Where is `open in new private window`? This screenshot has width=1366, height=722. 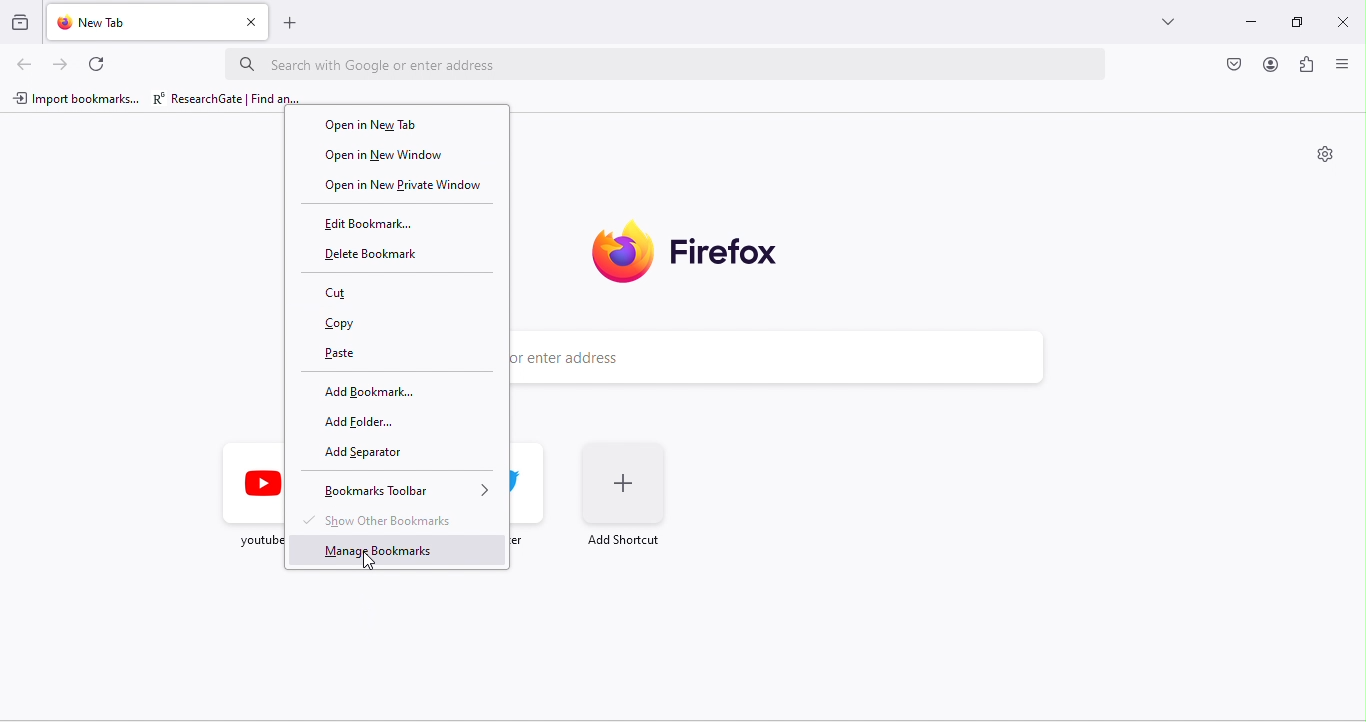
open in new private window is located at coordinates (405, 187).